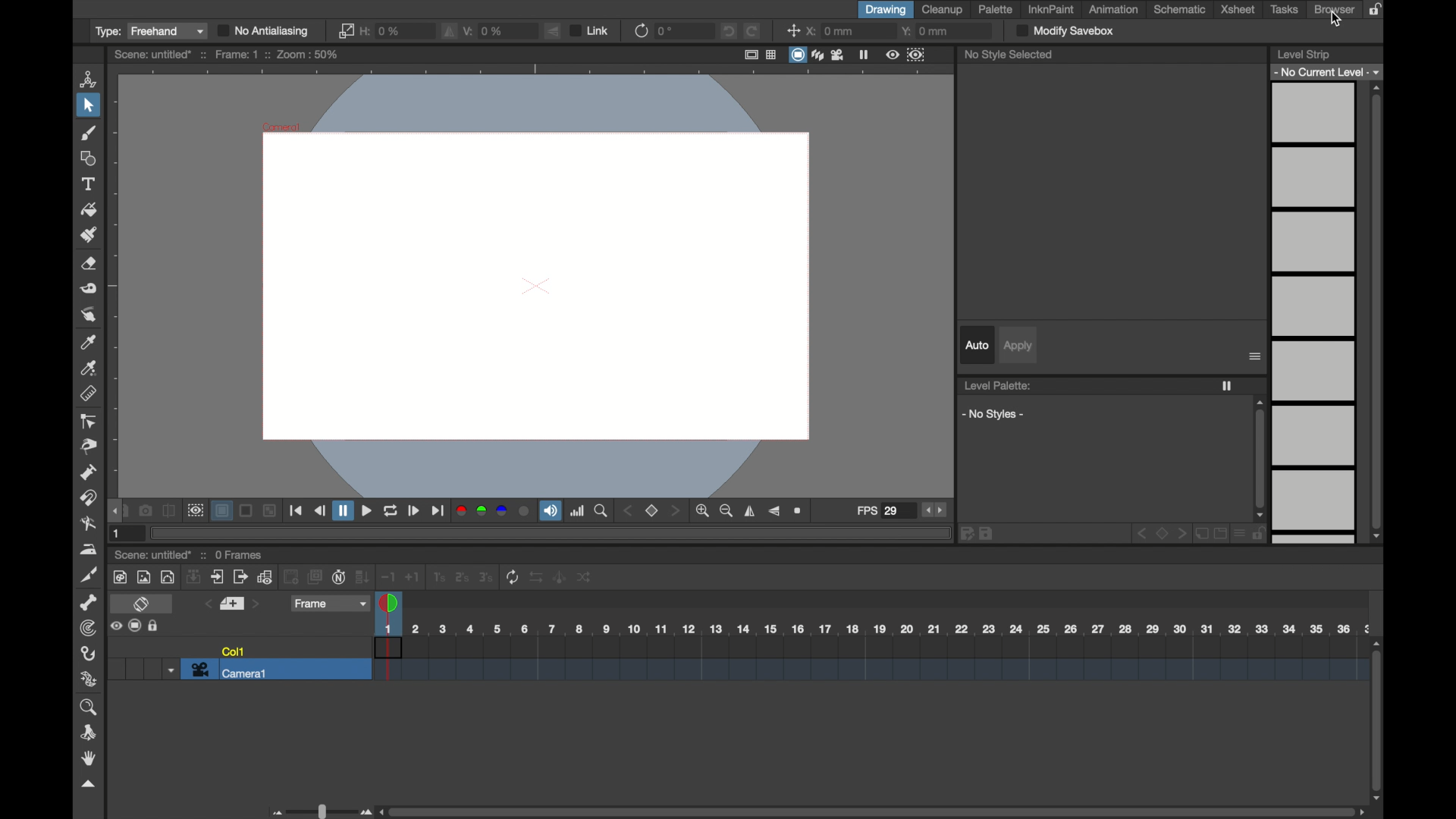 The height and width of the screenshot is (819, 1456). Describe the element at coordinates (873, 629) in the screenshot. I see `scene scale` at that location.